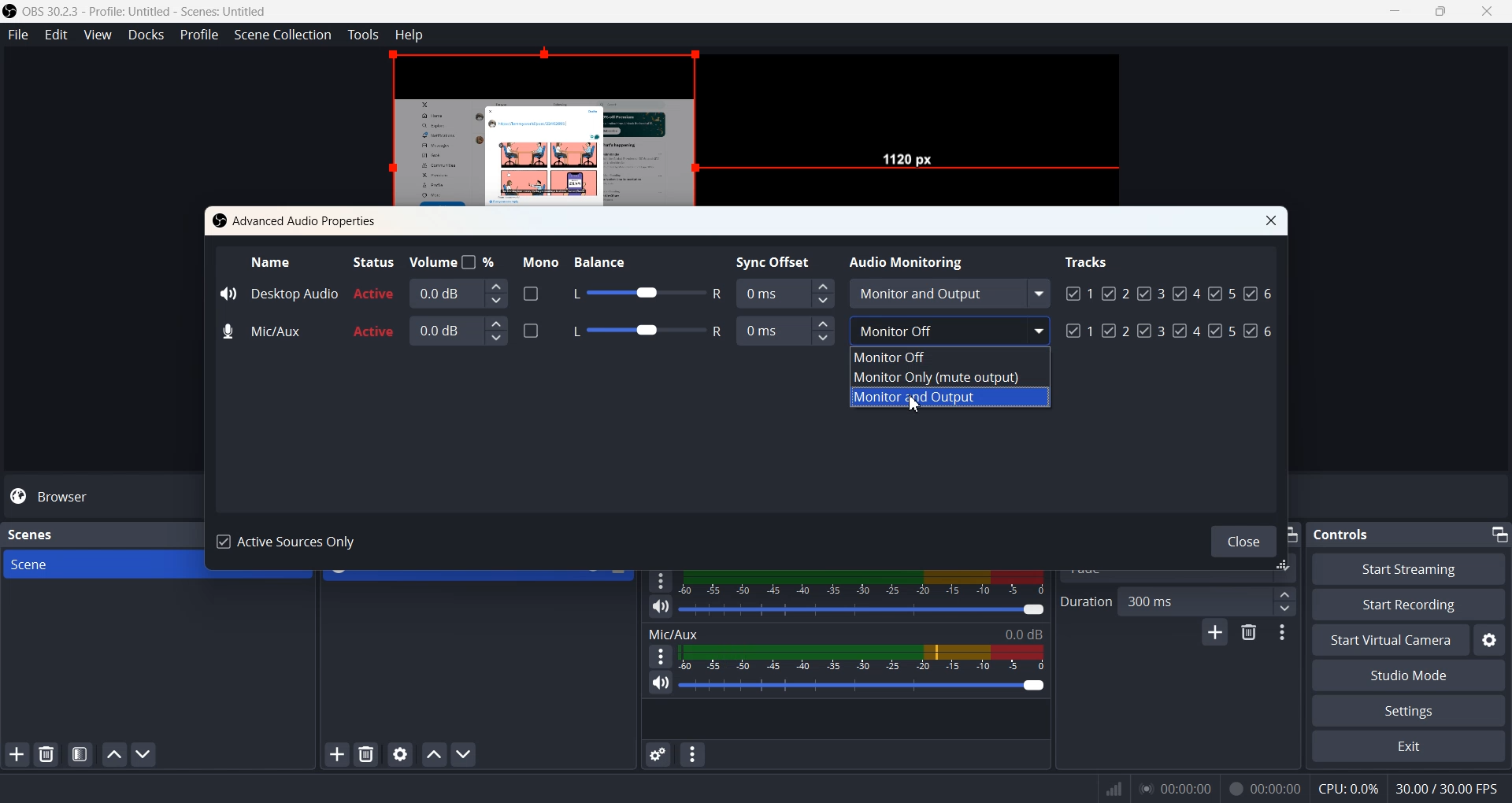 This screenshot has width=1512, height=803. I want to click on Add Sources, so click(337, 753).